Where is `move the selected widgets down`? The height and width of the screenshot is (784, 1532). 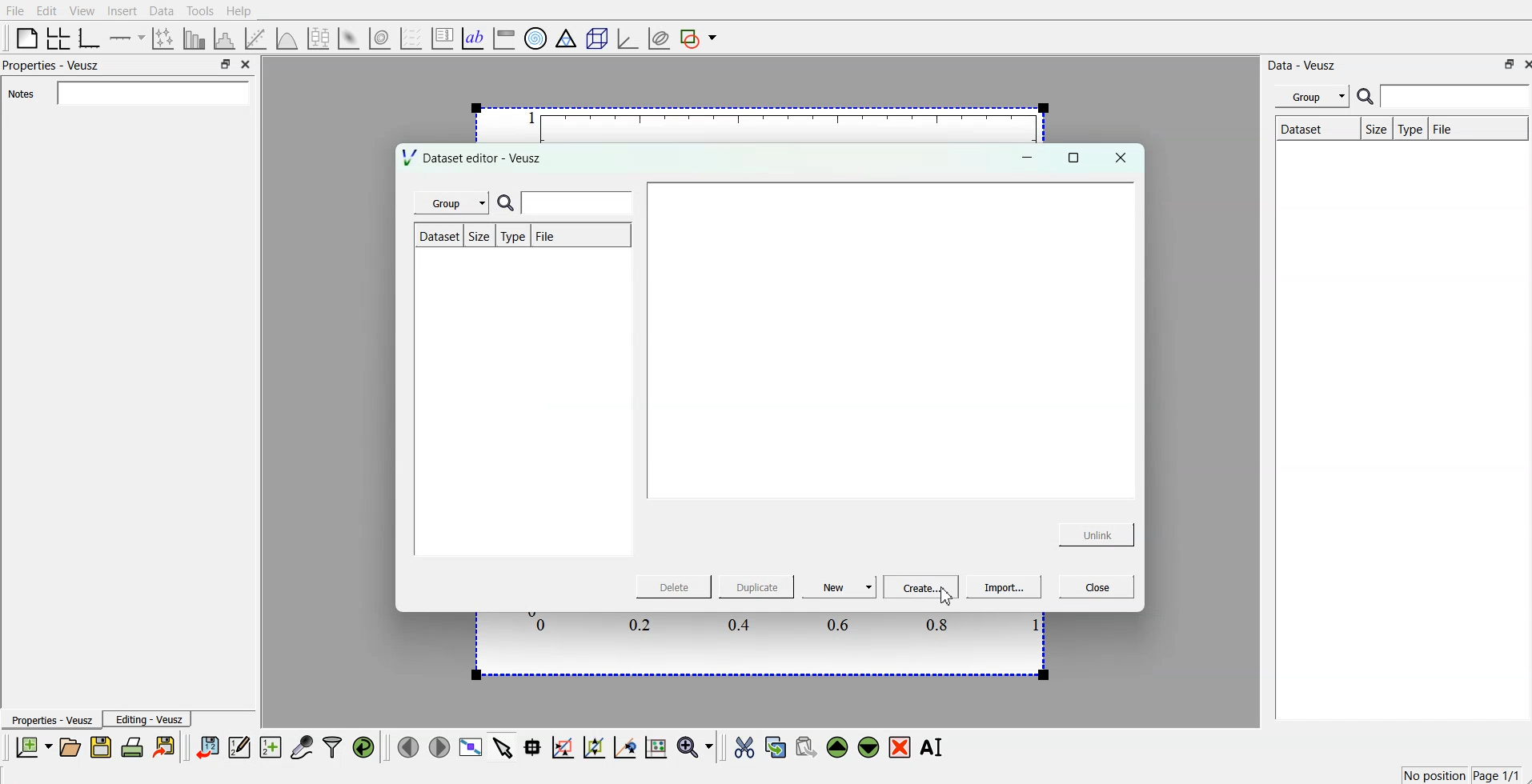 move the selected widgets down is located at coordinates (868, 747).